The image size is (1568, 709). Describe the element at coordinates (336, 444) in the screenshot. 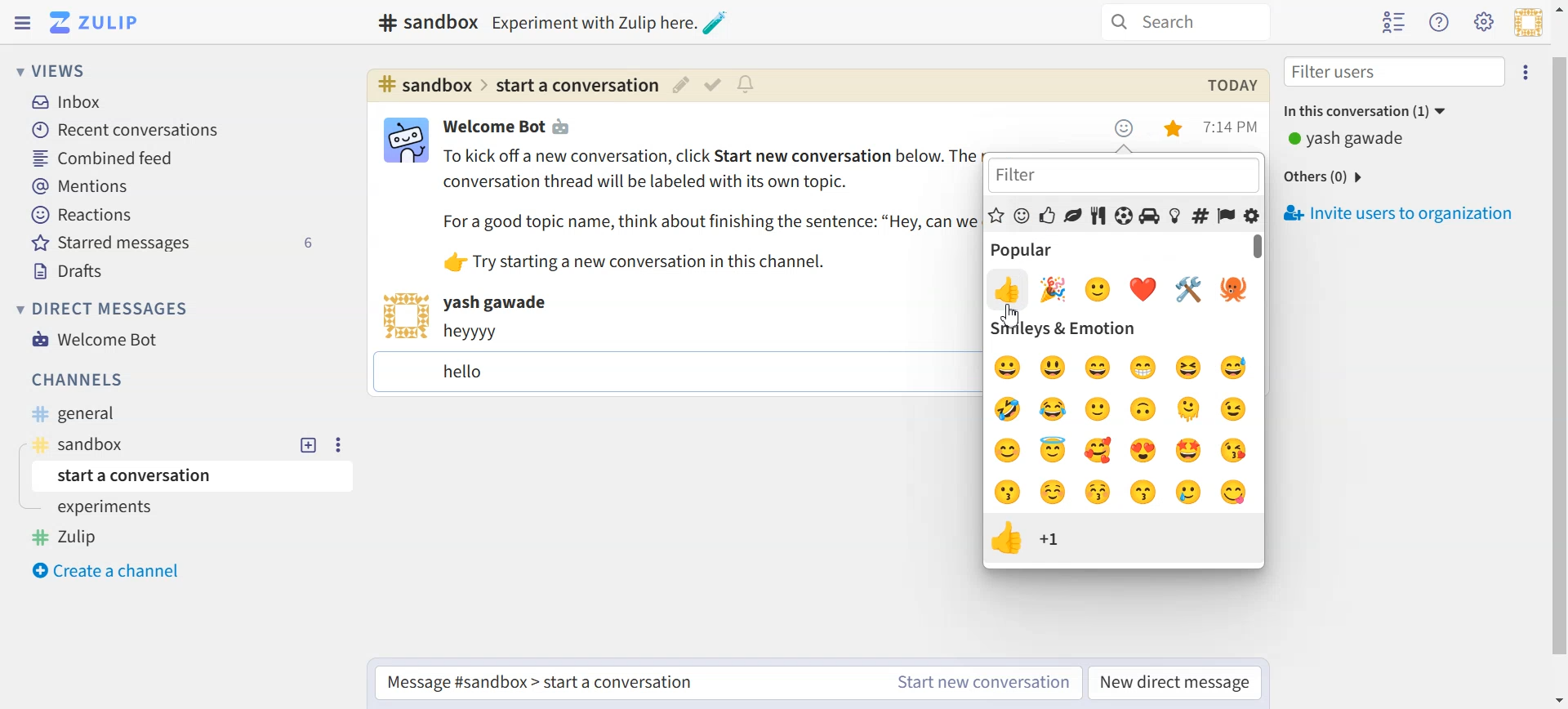

I see `Settings` at that location.